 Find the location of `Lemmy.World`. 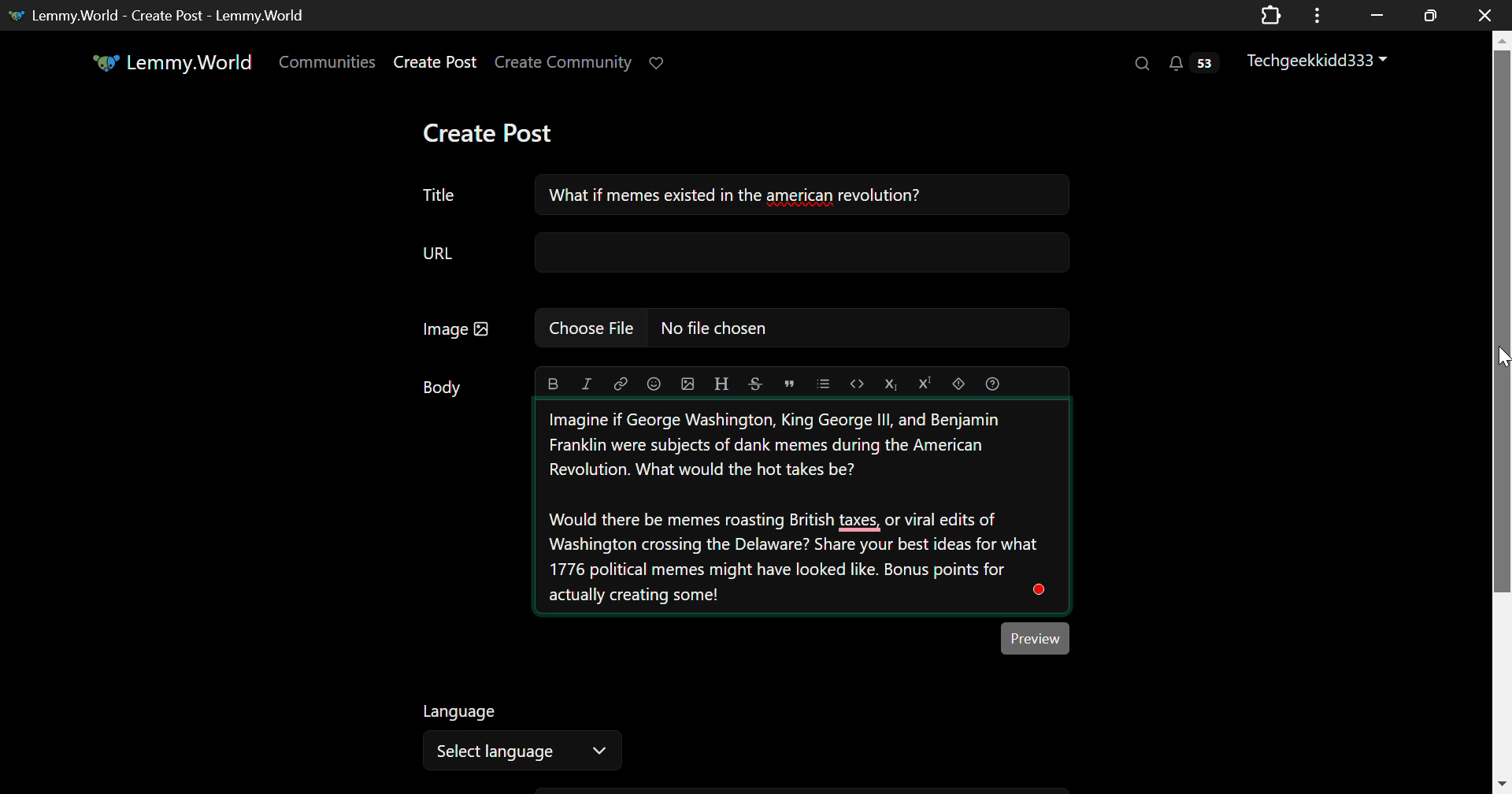

Lemmy.World is located at coordinates (171, 61).